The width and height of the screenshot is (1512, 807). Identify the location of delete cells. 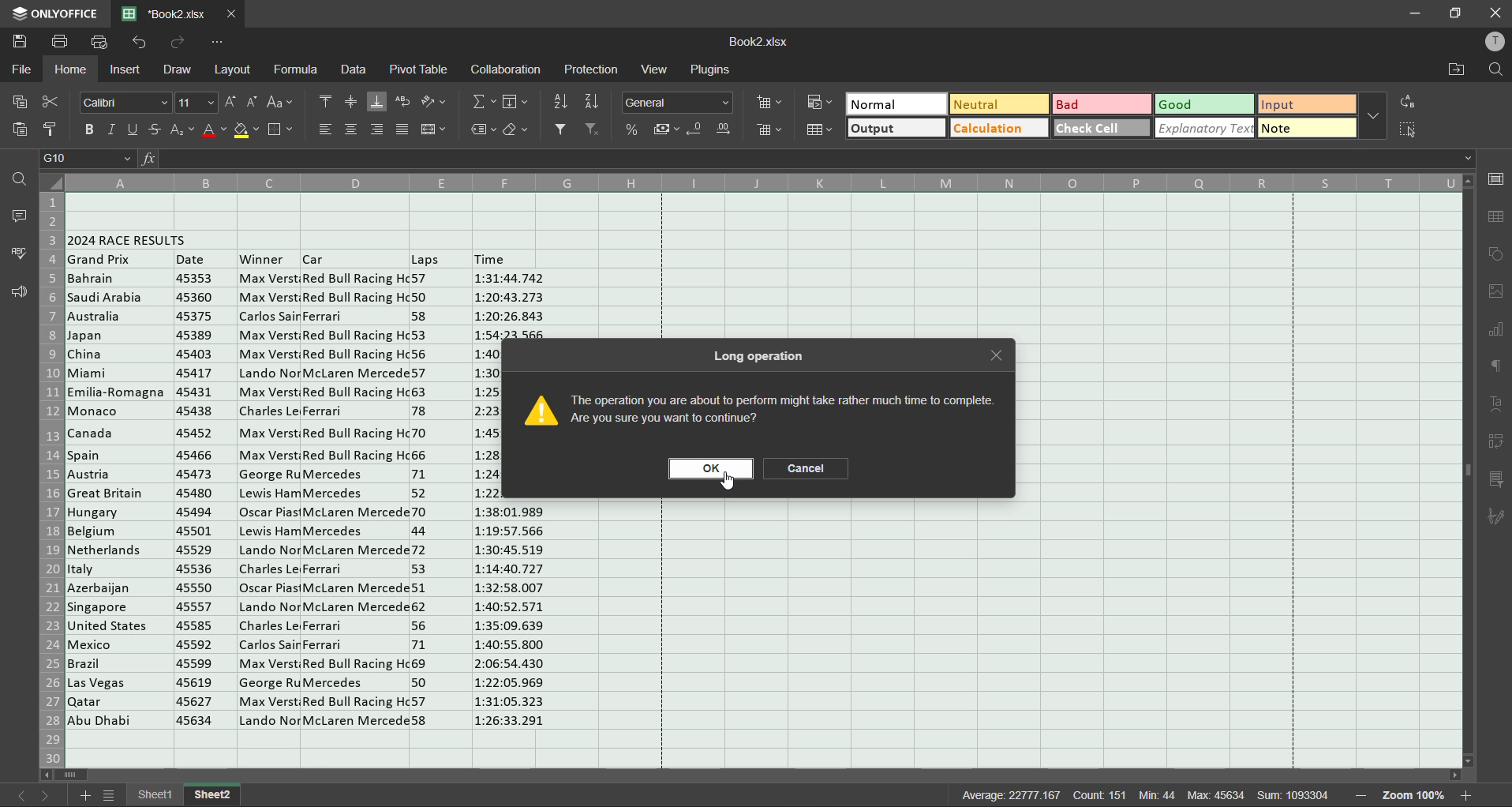
(770, 130).